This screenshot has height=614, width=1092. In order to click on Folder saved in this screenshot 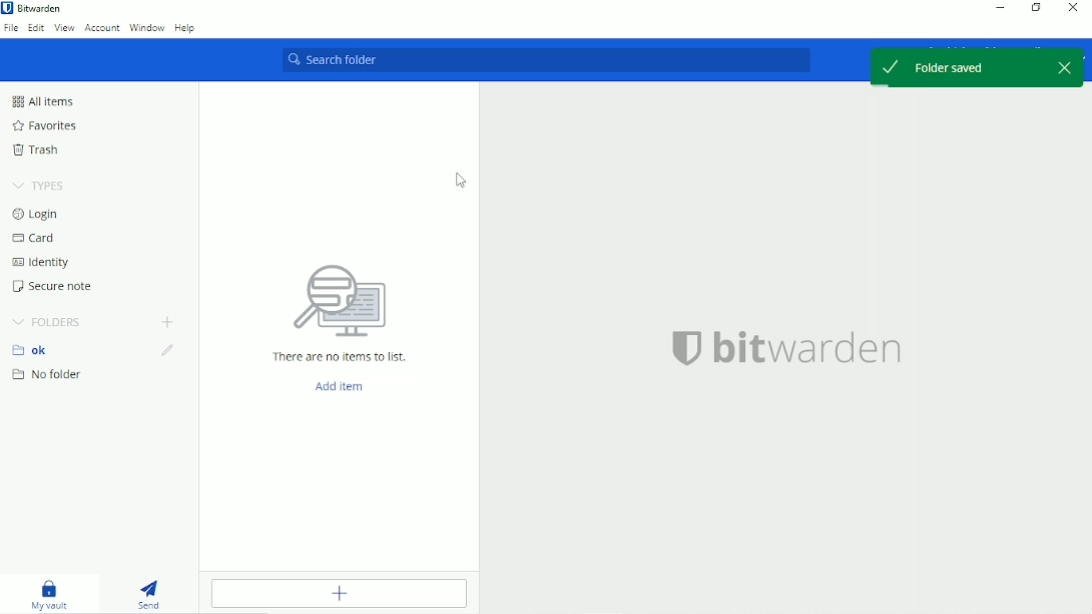, I will do `click(953, 67)`.